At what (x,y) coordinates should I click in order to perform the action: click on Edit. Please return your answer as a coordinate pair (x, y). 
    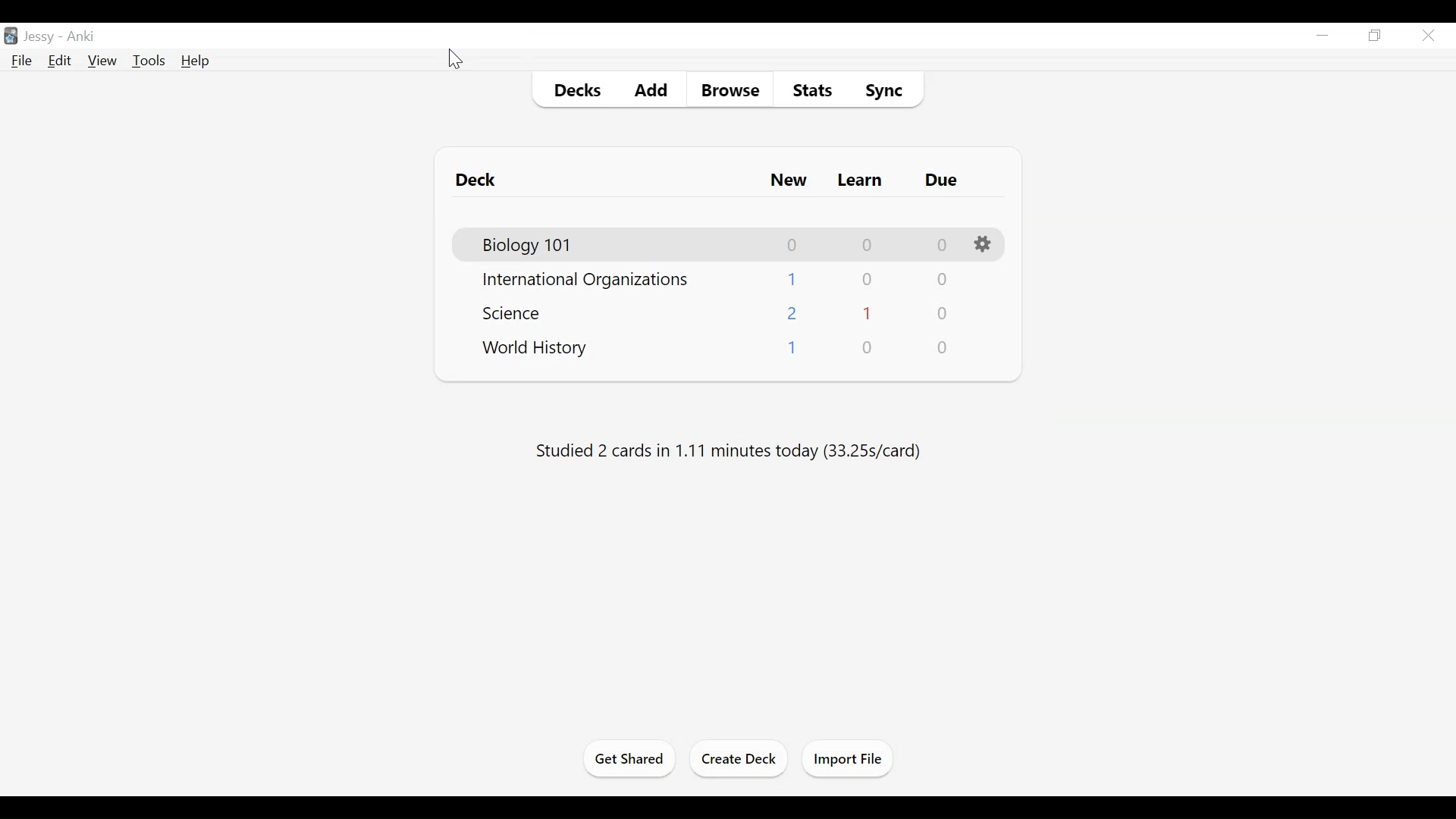
    Looking at the image, I should click on (58, 61).